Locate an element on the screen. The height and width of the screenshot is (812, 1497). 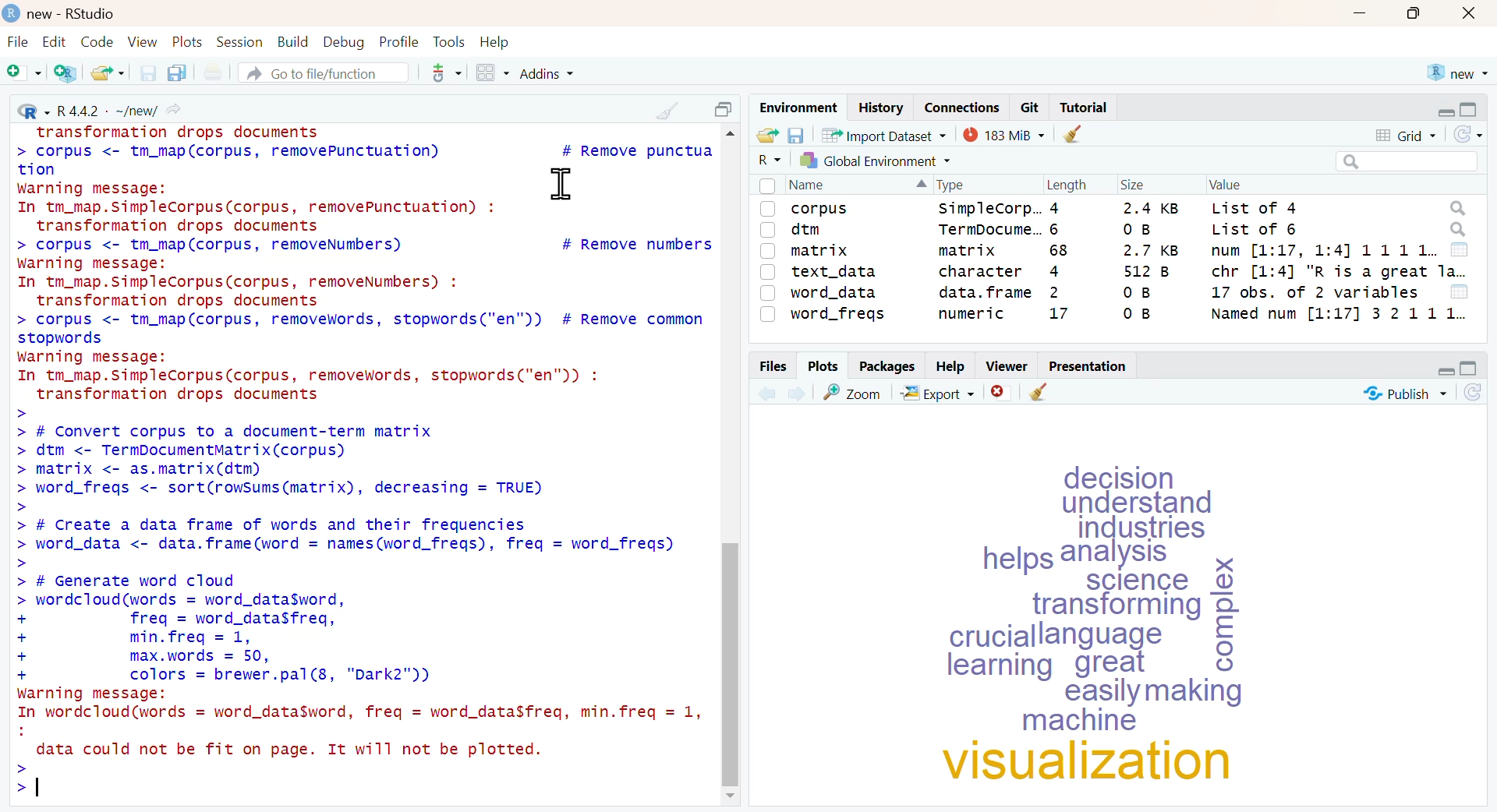
Global Environment is located at coordinates (876, 160).